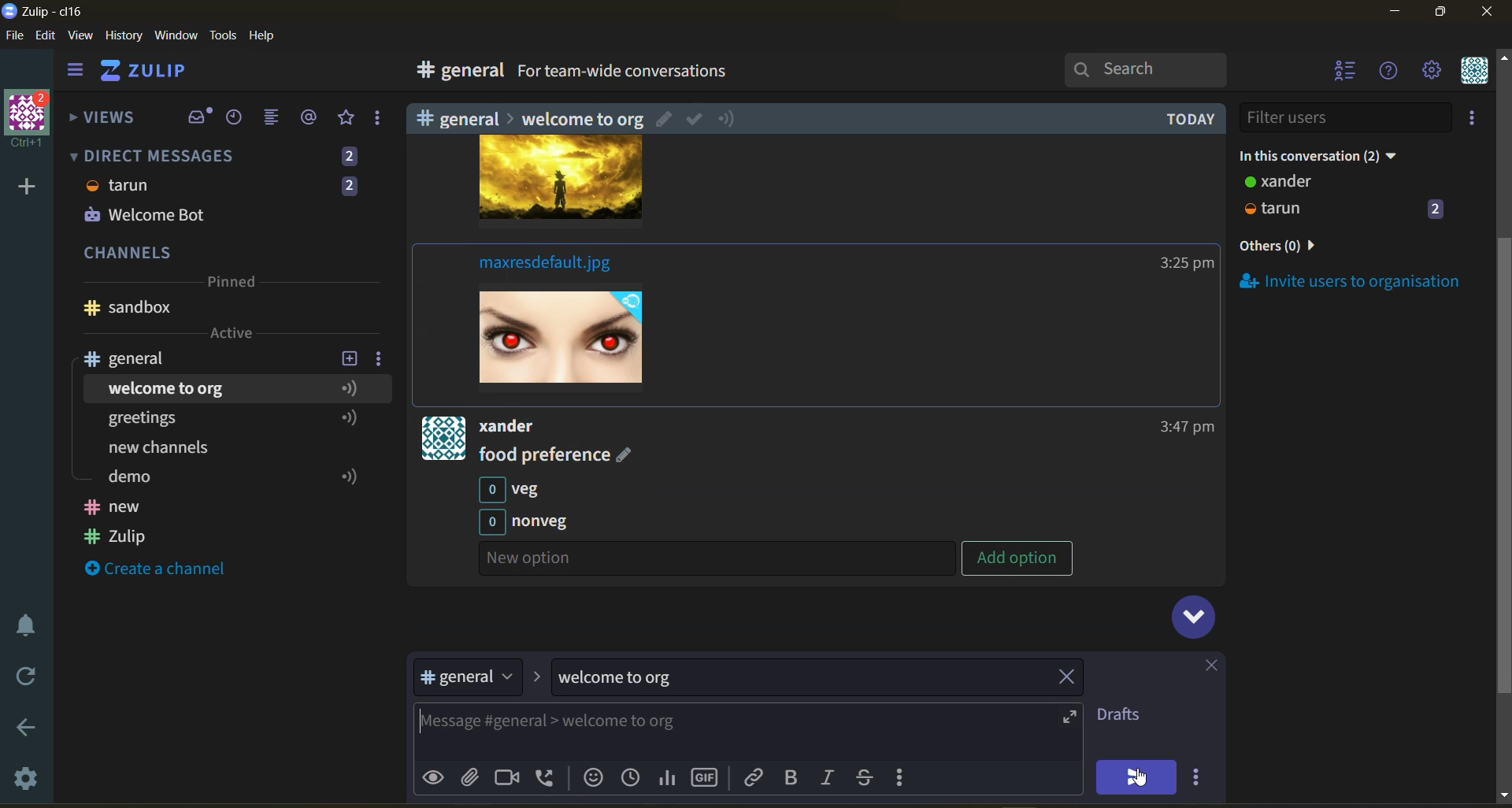  I want to click on active, so click(233, 333).